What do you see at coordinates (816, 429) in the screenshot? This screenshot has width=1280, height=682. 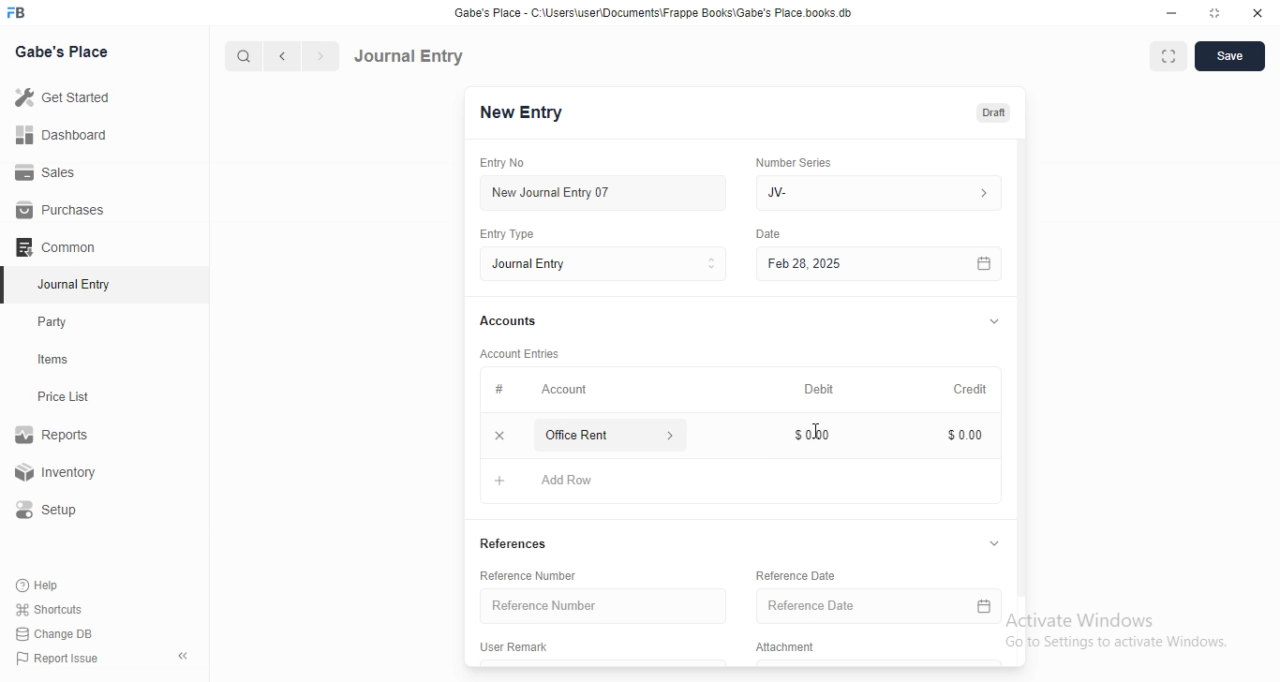 I see `cursor` at bounding box center [816, 429].